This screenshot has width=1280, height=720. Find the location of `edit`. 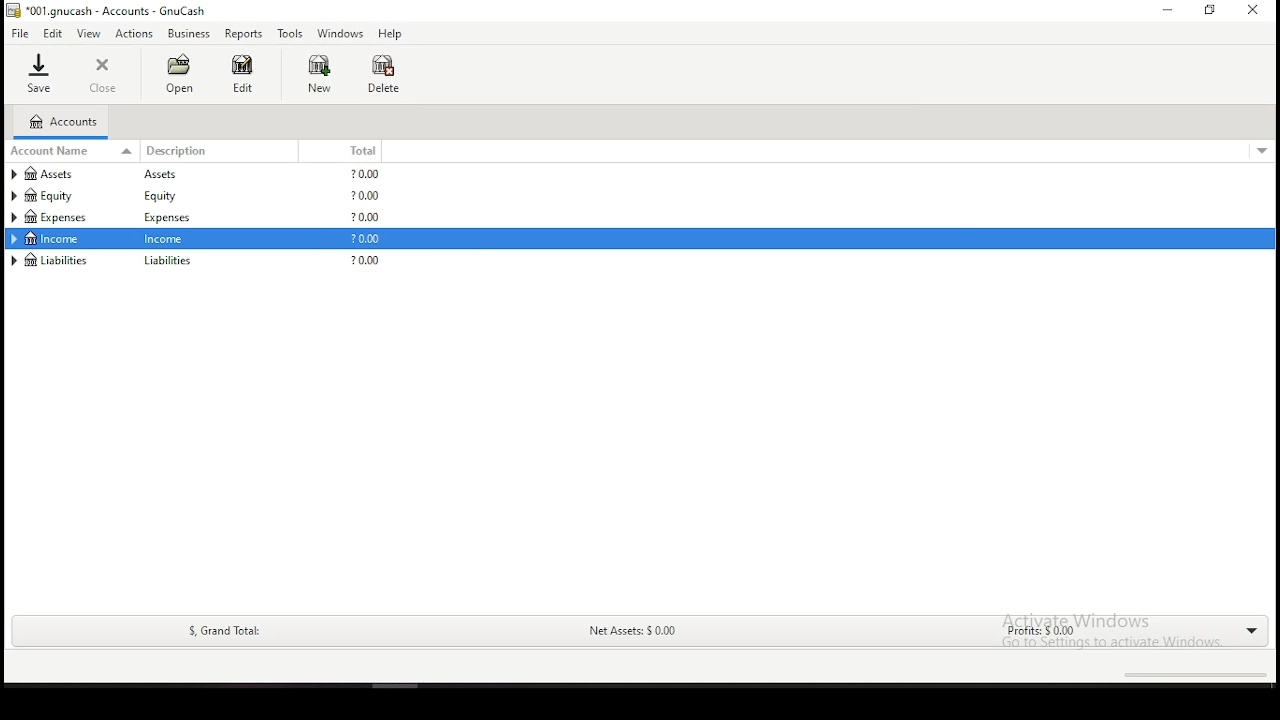

edit is located at coordinates (242, 73).